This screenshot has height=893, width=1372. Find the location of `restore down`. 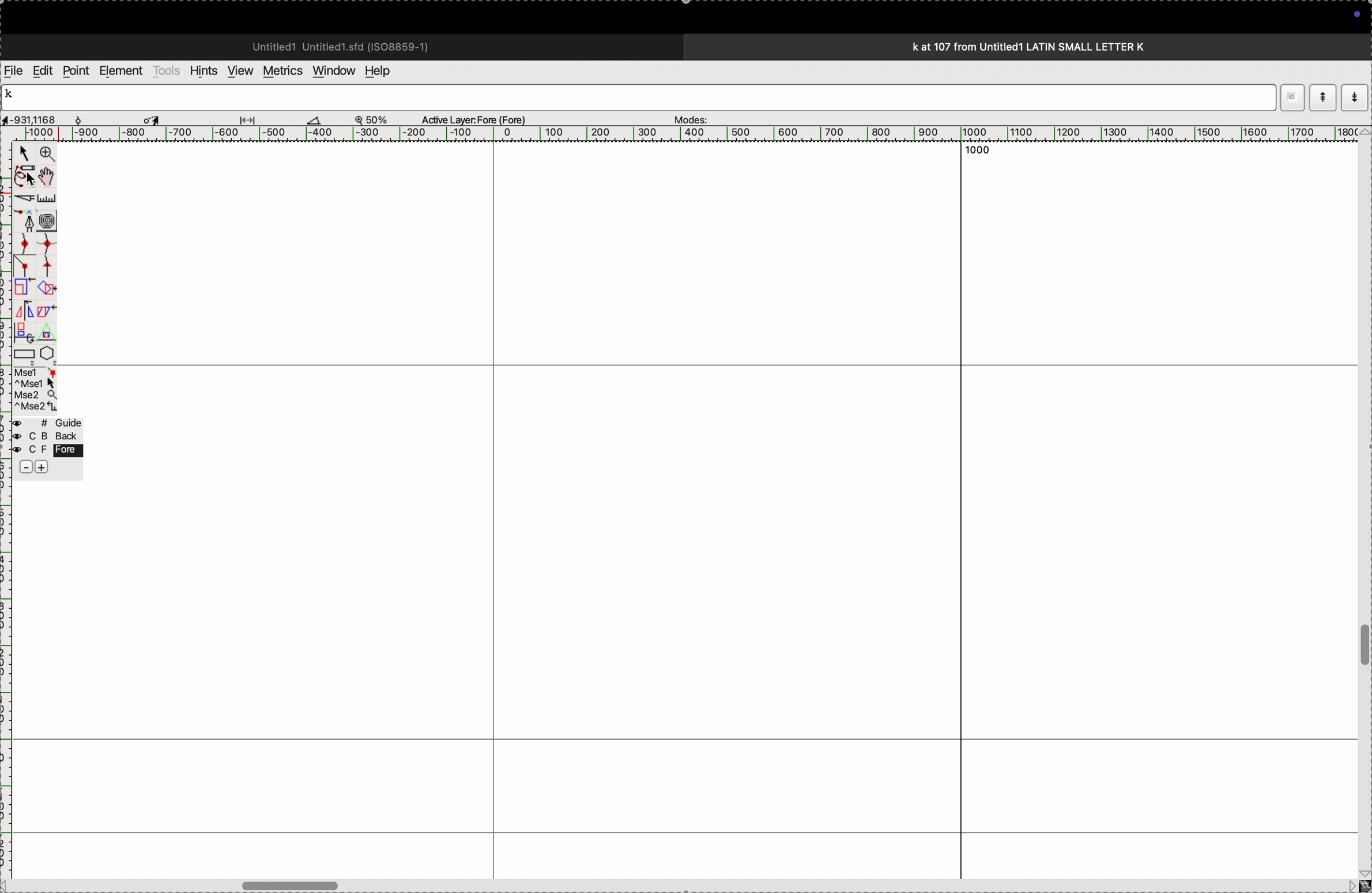

restore down is located at coordinates (1294, 97).